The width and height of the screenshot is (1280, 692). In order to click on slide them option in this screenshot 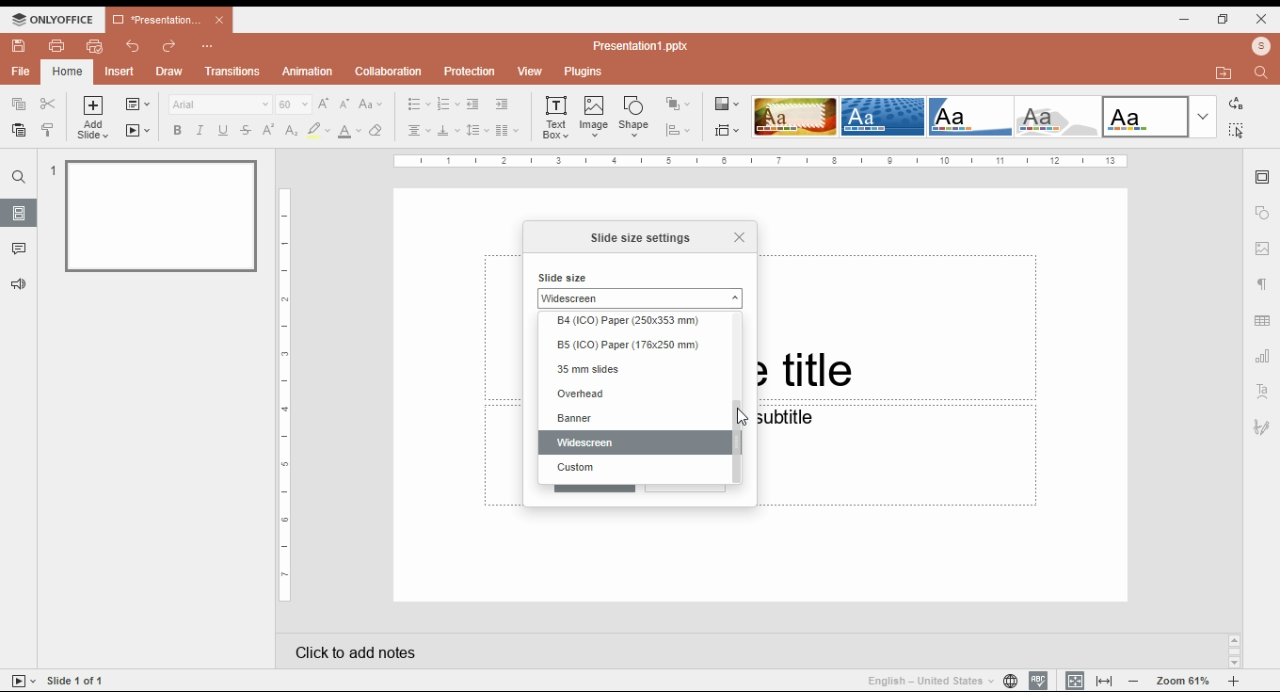, I will do `click(795, 116)`.